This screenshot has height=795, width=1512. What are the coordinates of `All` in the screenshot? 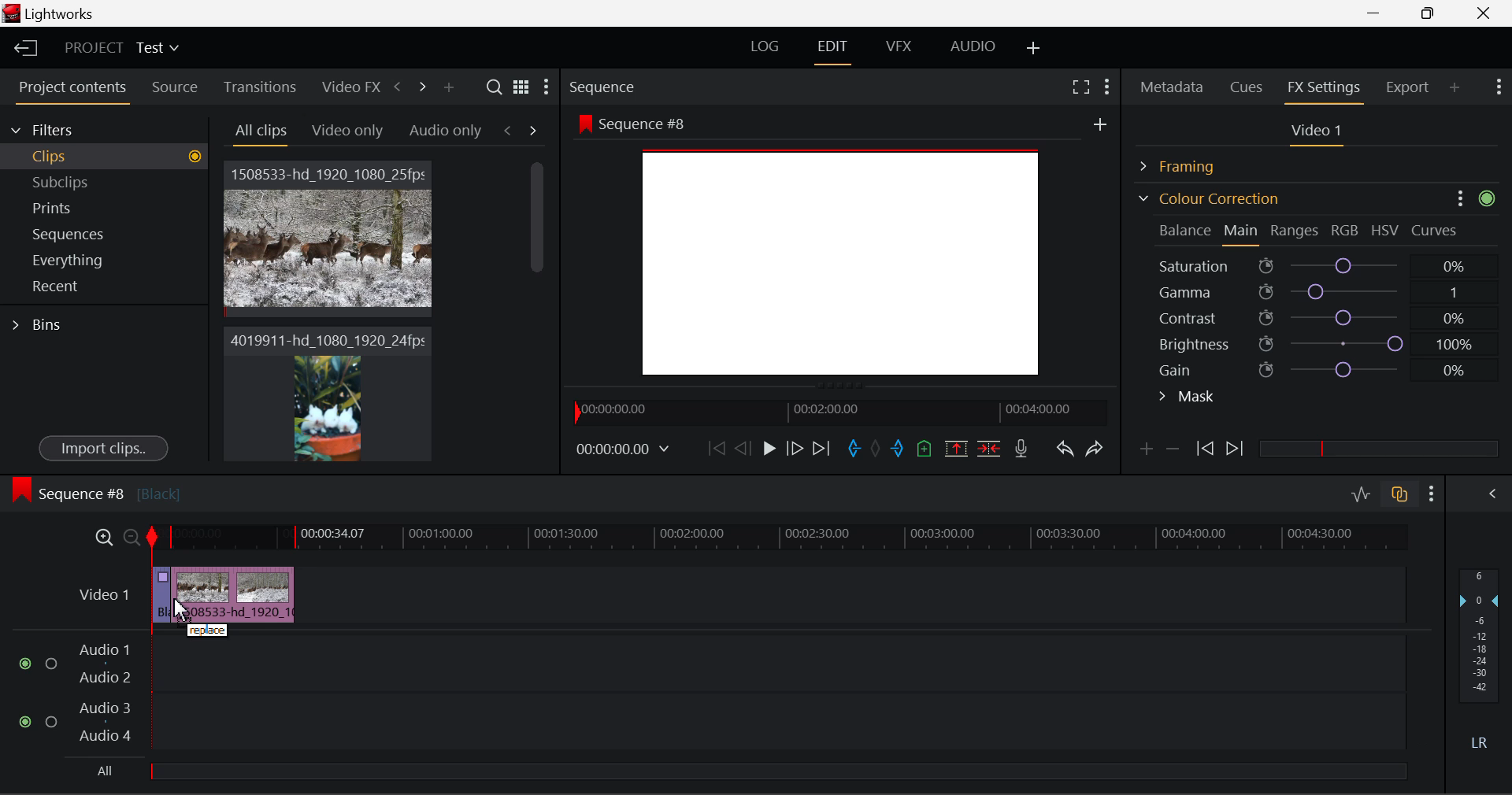 It's located at (102, 773).